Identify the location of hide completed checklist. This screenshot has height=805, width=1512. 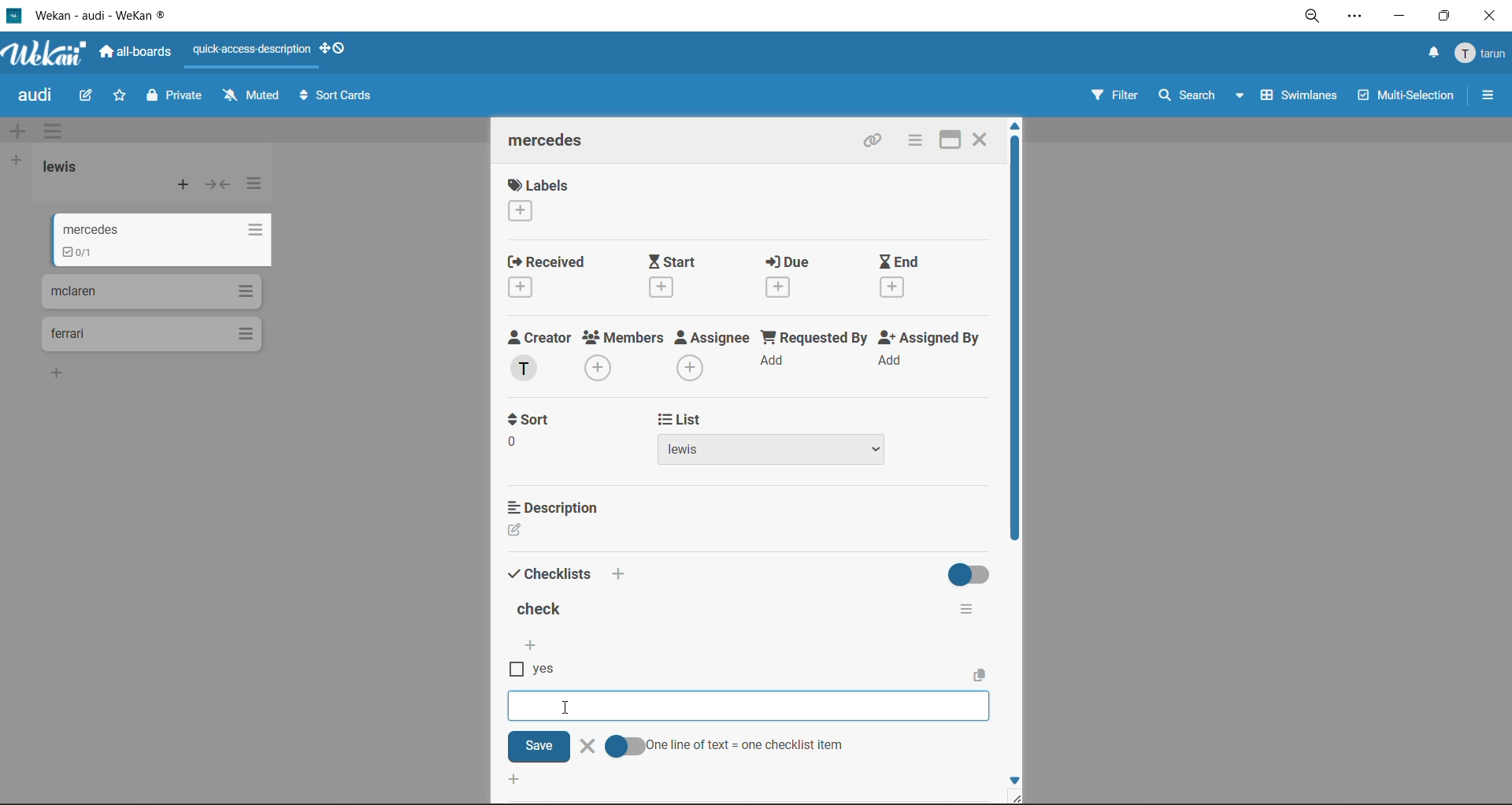
(972, 573).